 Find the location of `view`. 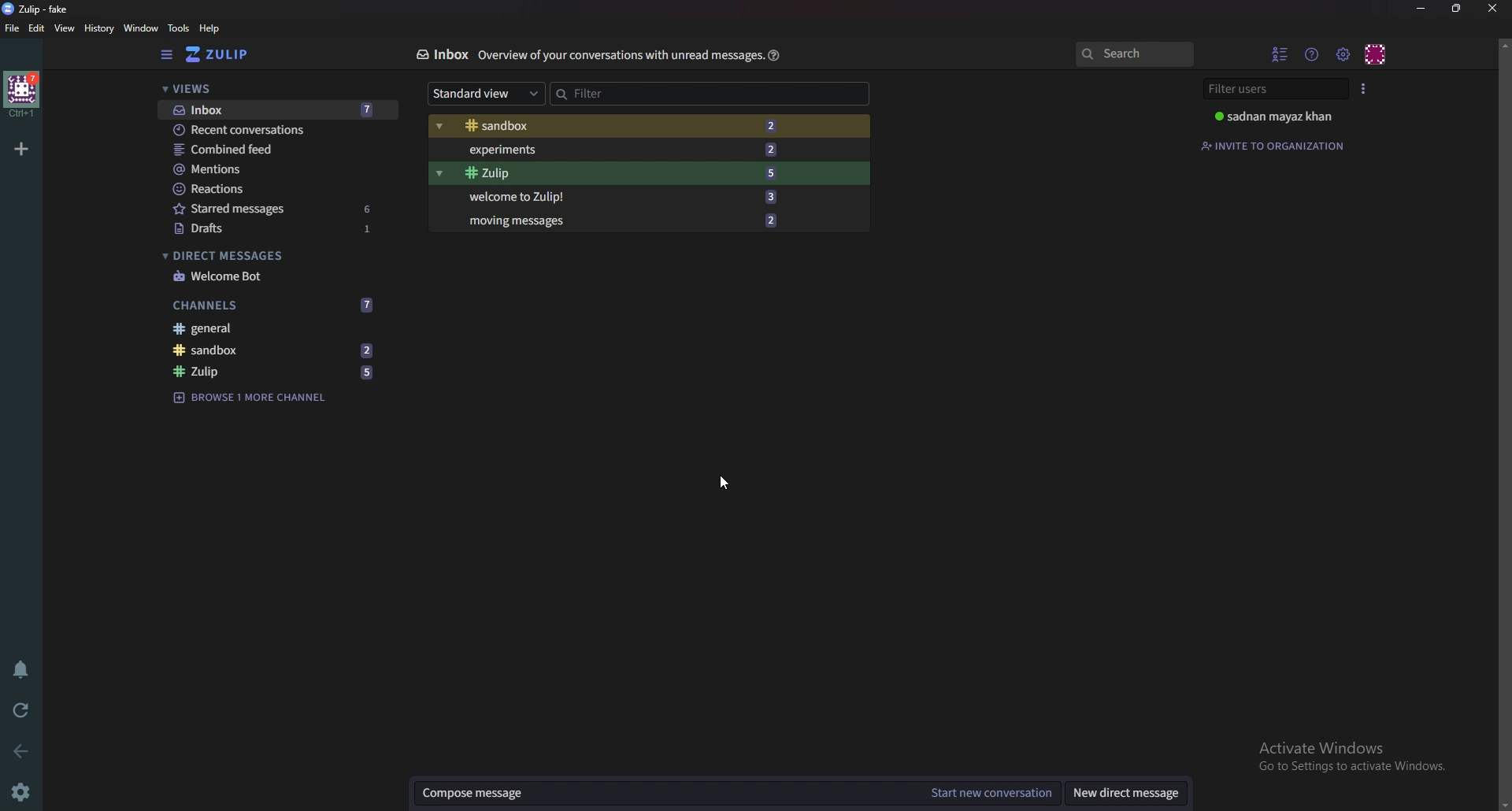

view is located at coordinates (65, 29).